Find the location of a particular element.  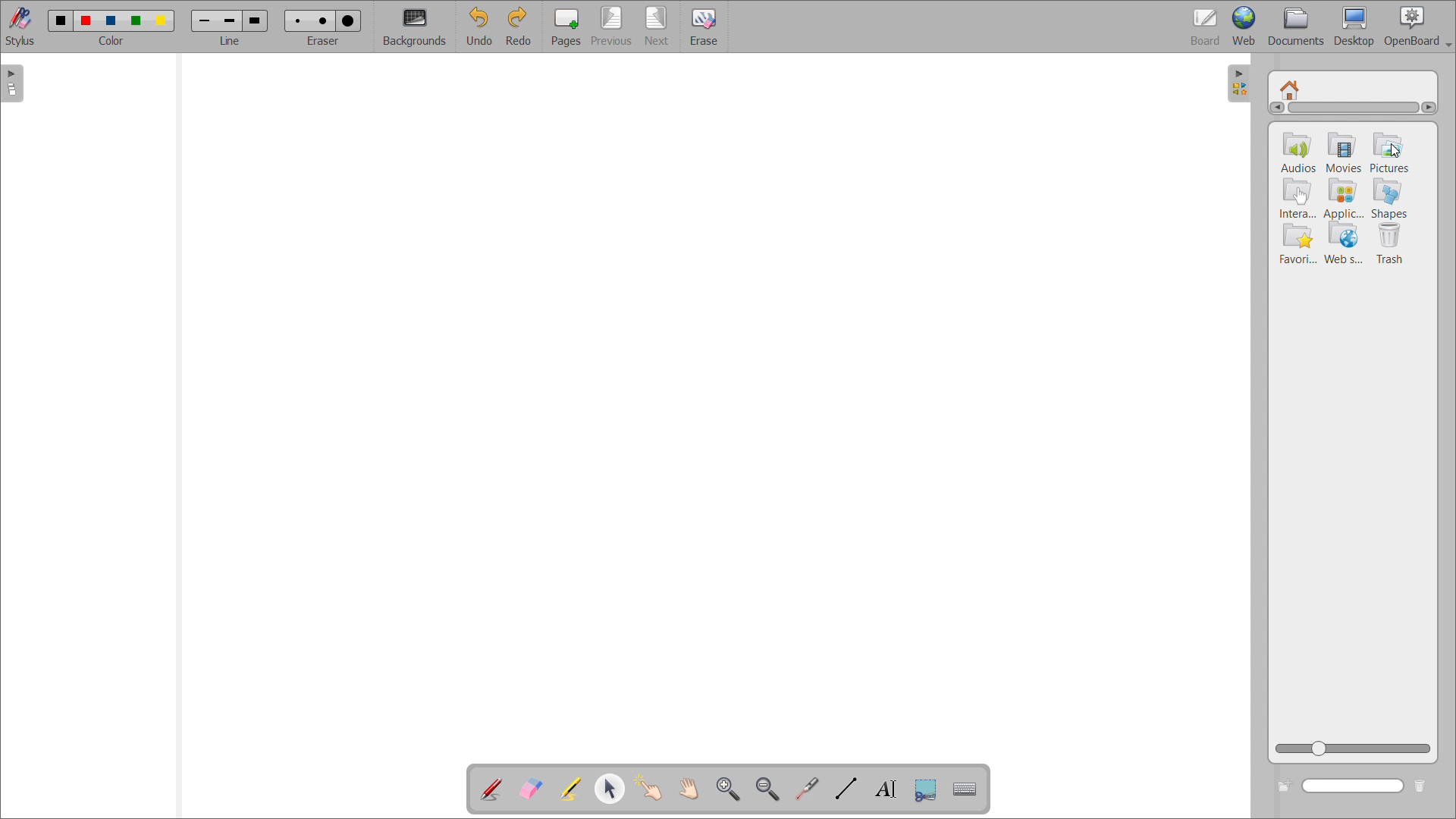

shapes is located at coordinates (1392, 198).